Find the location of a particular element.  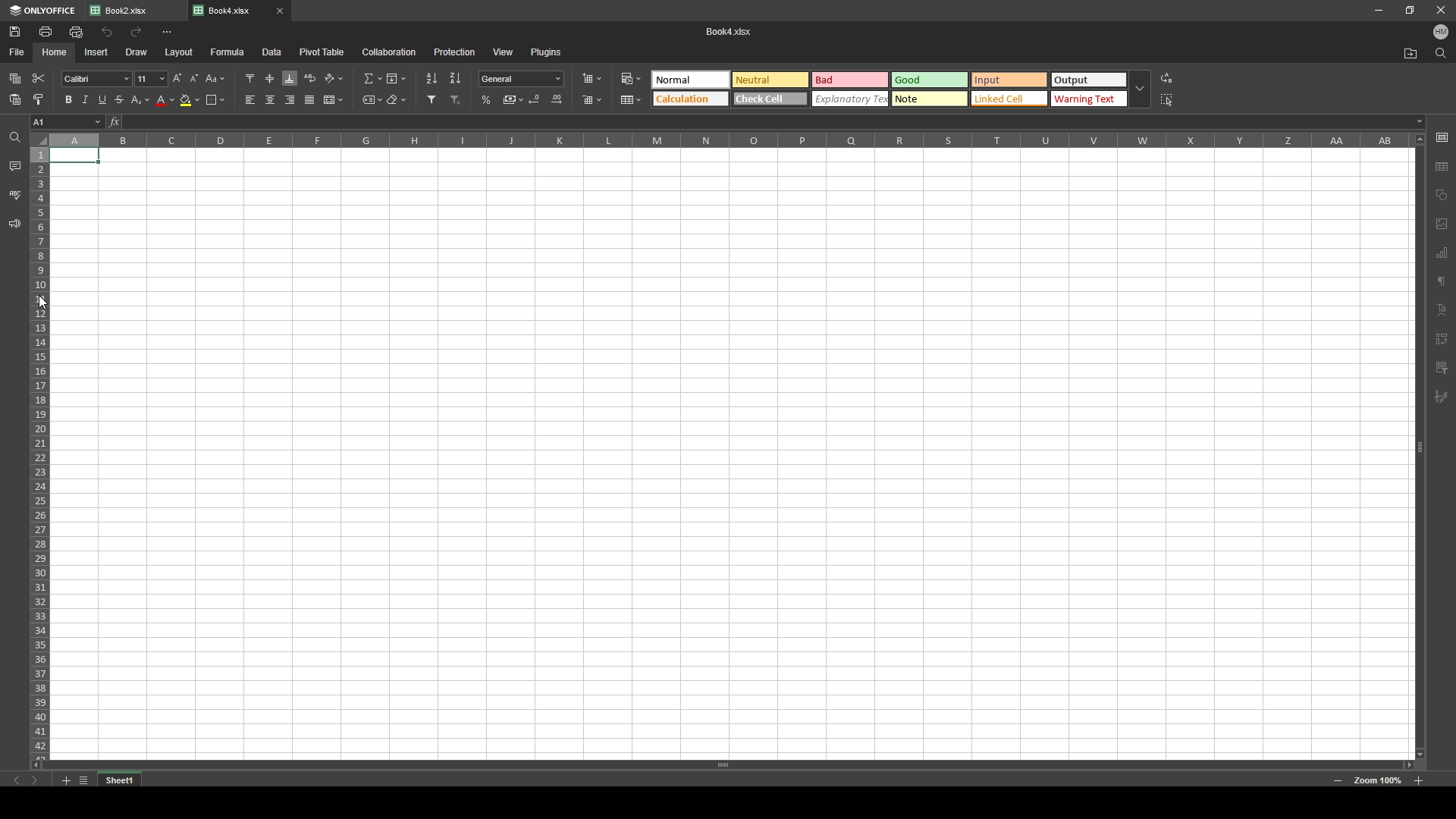

zoom in is located at coordinates (1419, 780).